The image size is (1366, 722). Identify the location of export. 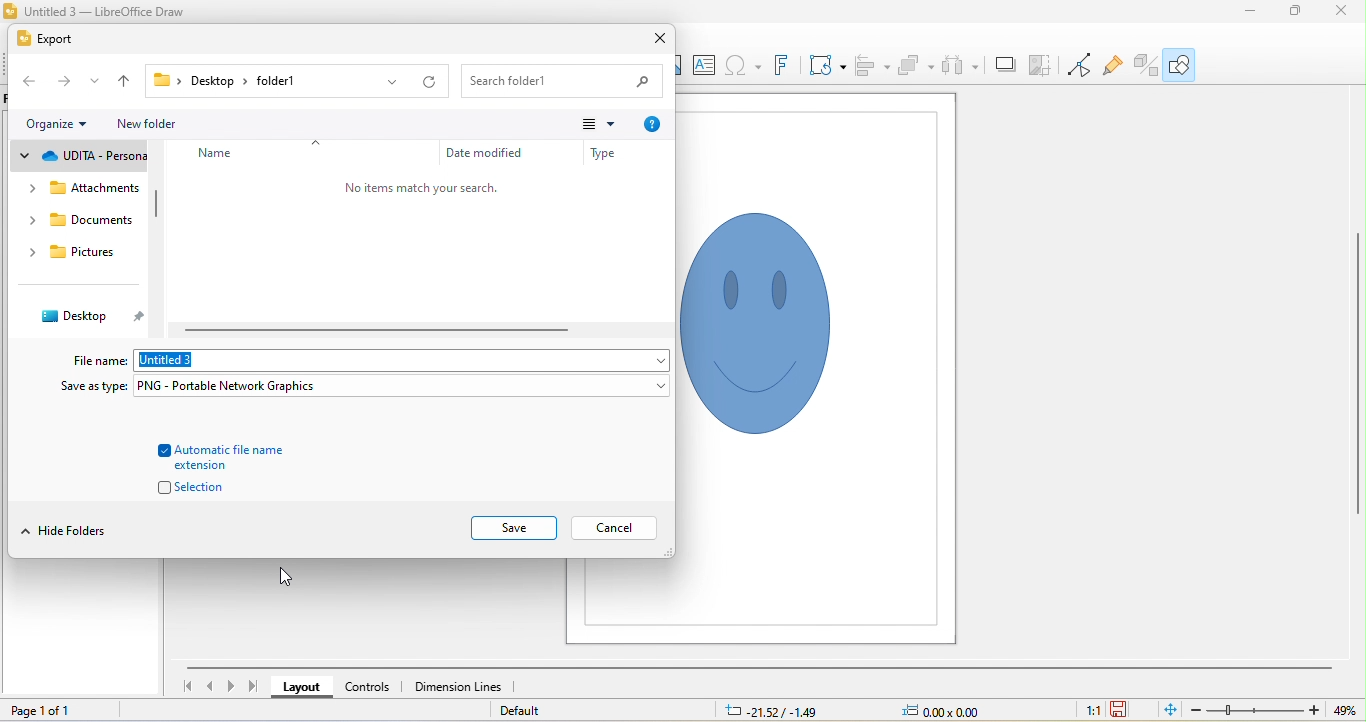
(47, 39).